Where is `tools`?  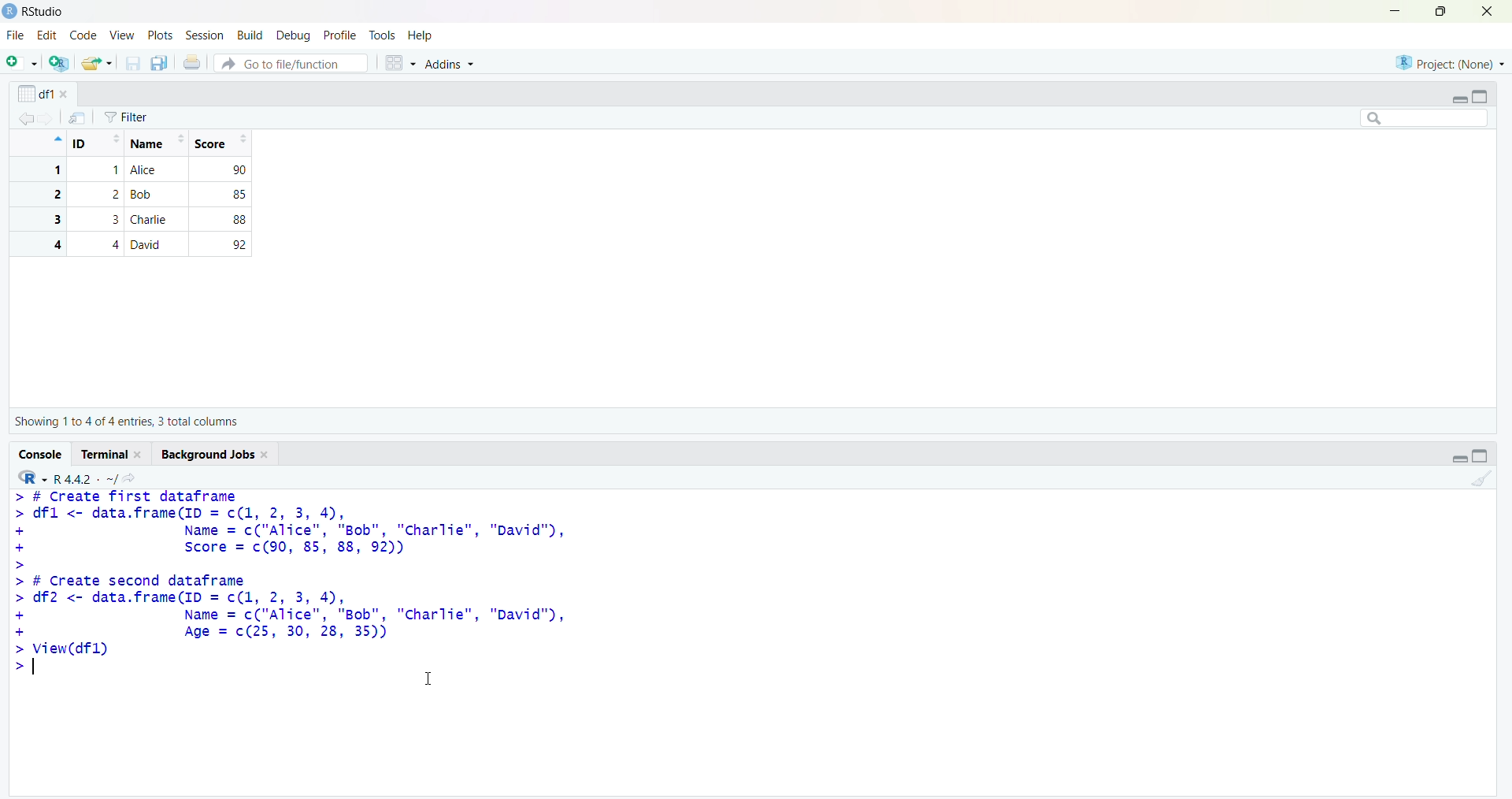
tools is located at coordinates (383, 35).